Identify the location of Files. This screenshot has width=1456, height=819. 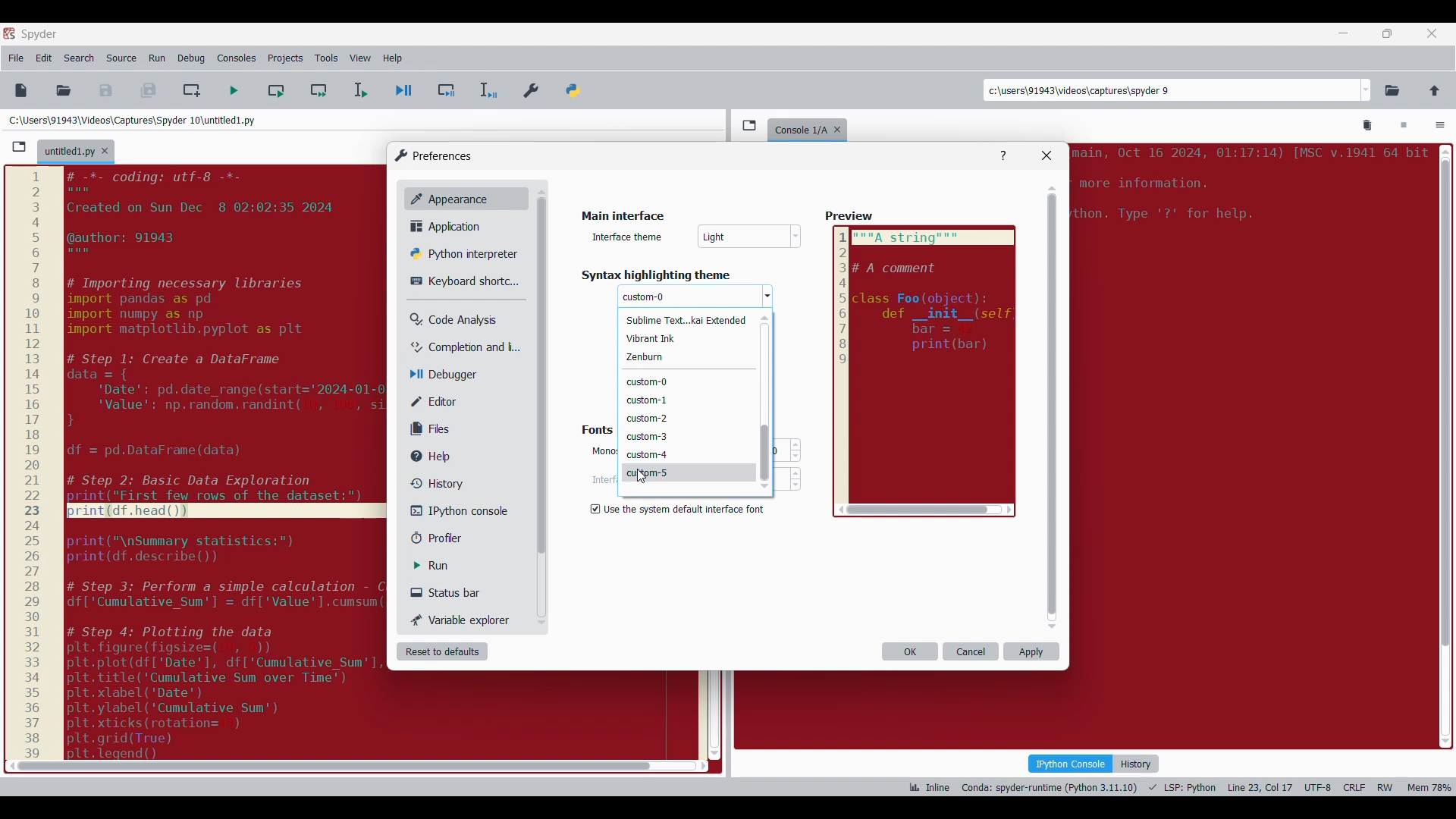
(434, 428).